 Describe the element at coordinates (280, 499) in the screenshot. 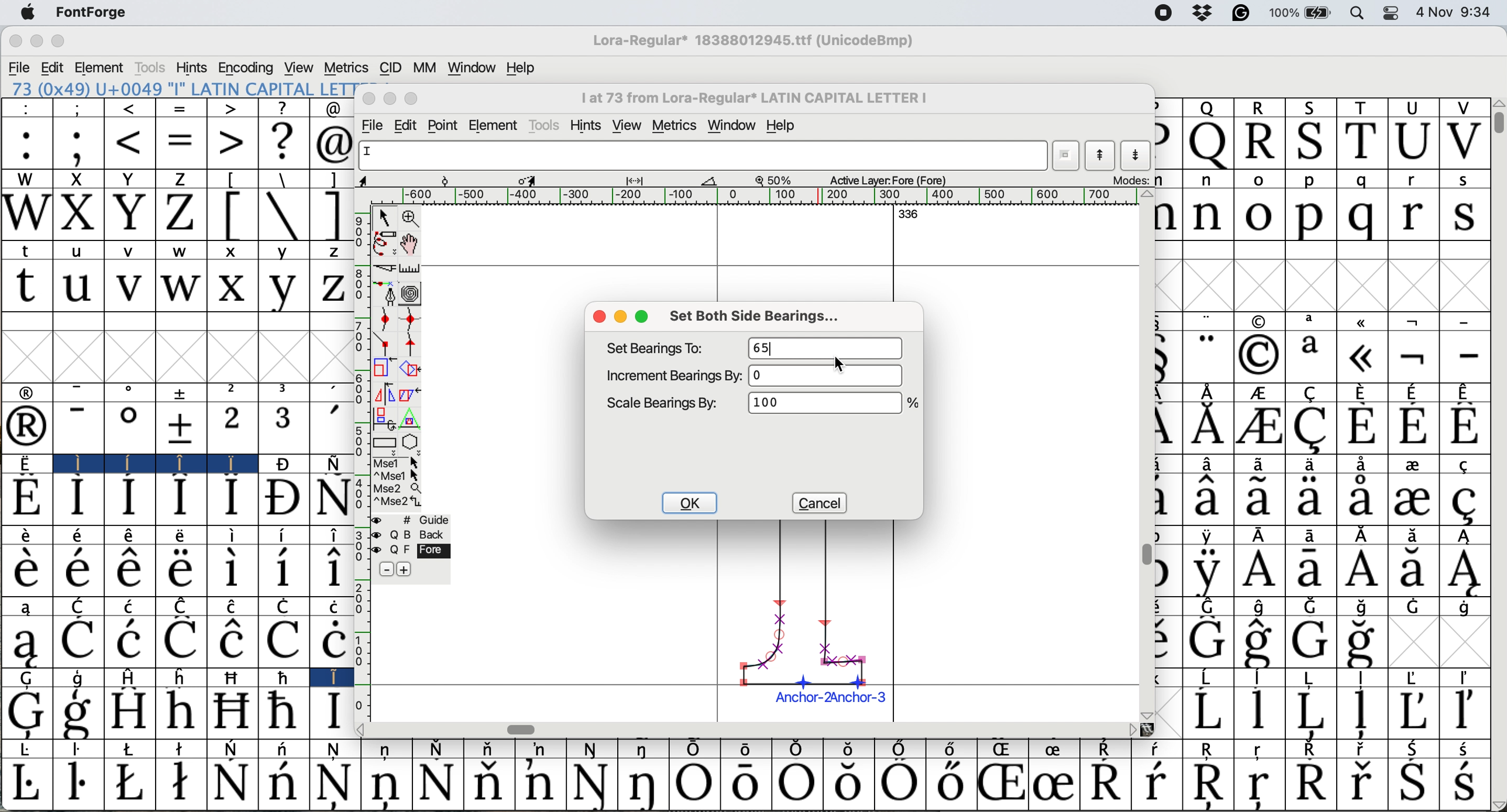

I see `Symbol` at that location.